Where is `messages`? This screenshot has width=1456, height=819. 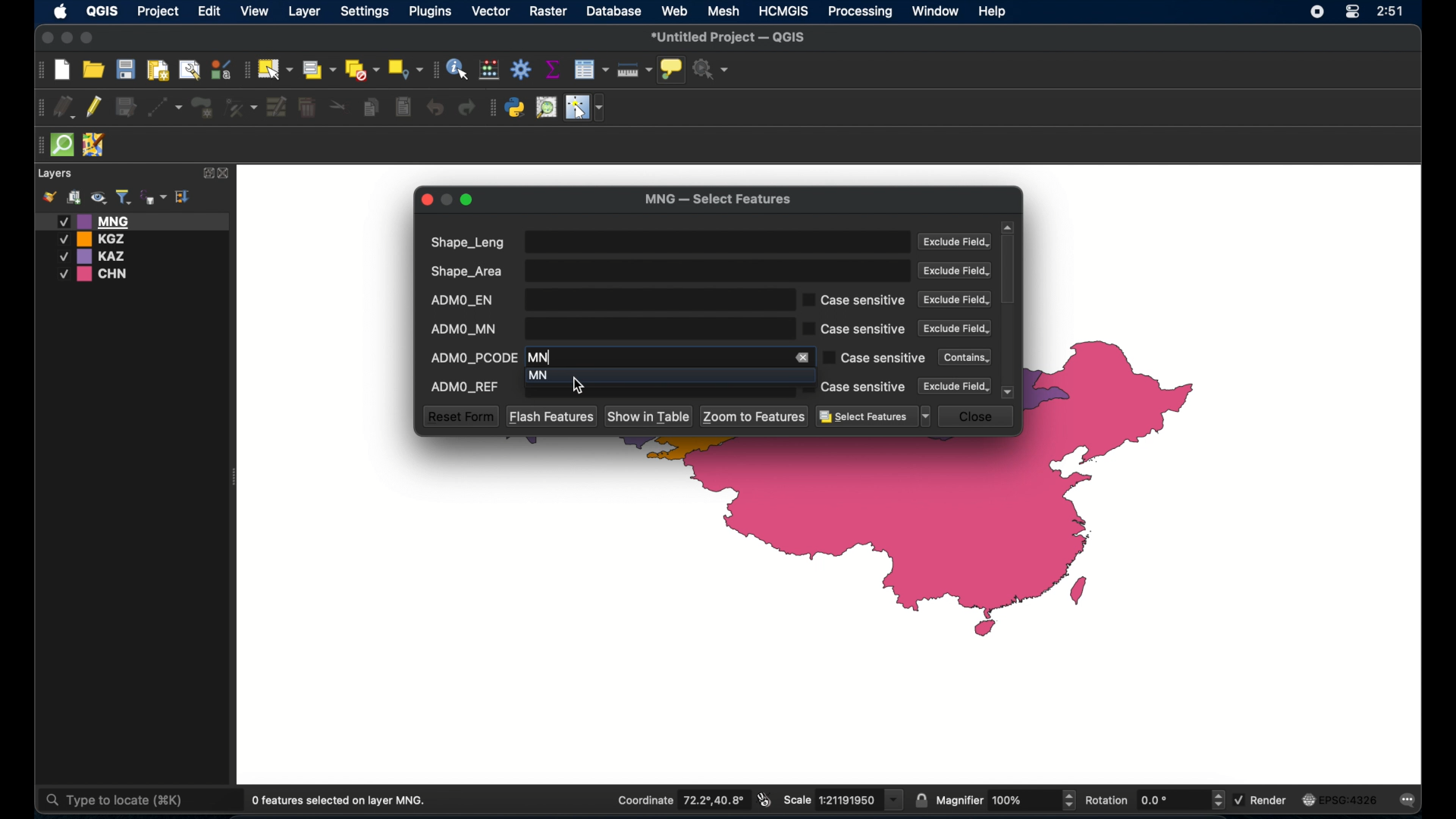
messages is located at coordinates (1410, 801).